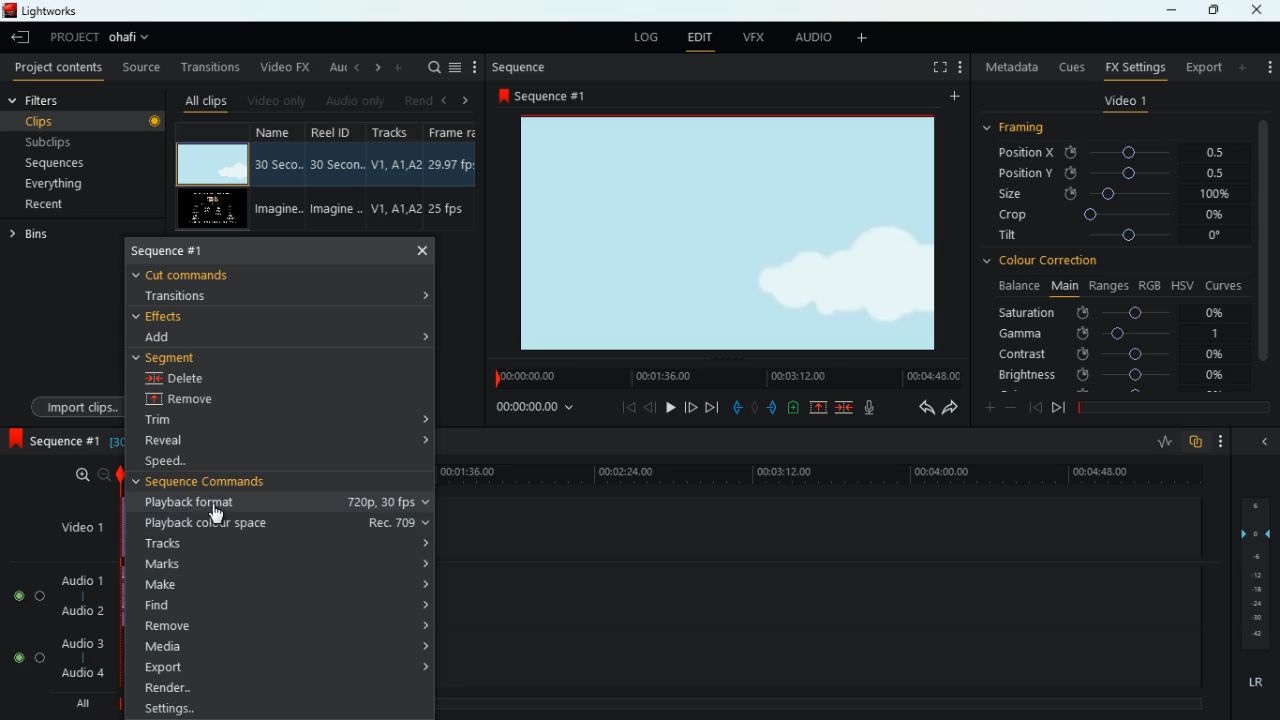 The width and height of the screenshot is (1280, 720). I want to click on all, so click(78, 705).